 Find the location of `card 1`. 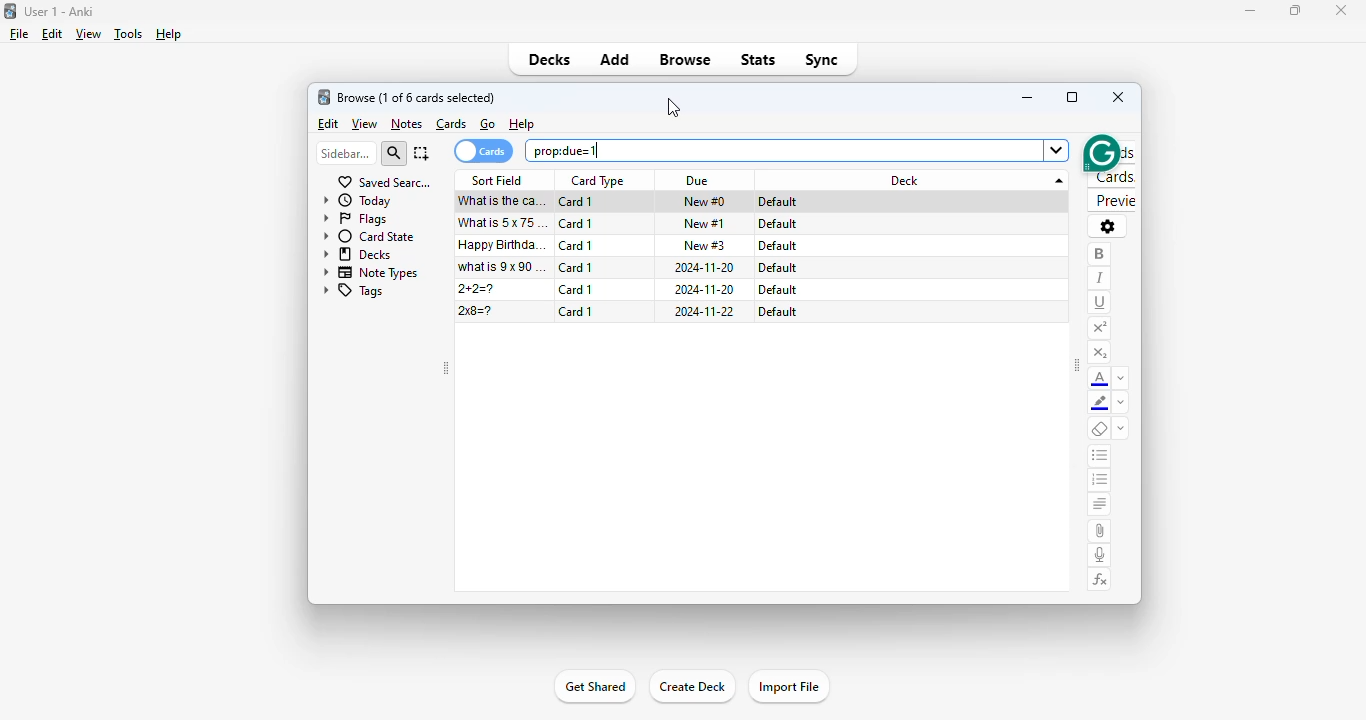

card 1 is located at coordinates (575, 311).